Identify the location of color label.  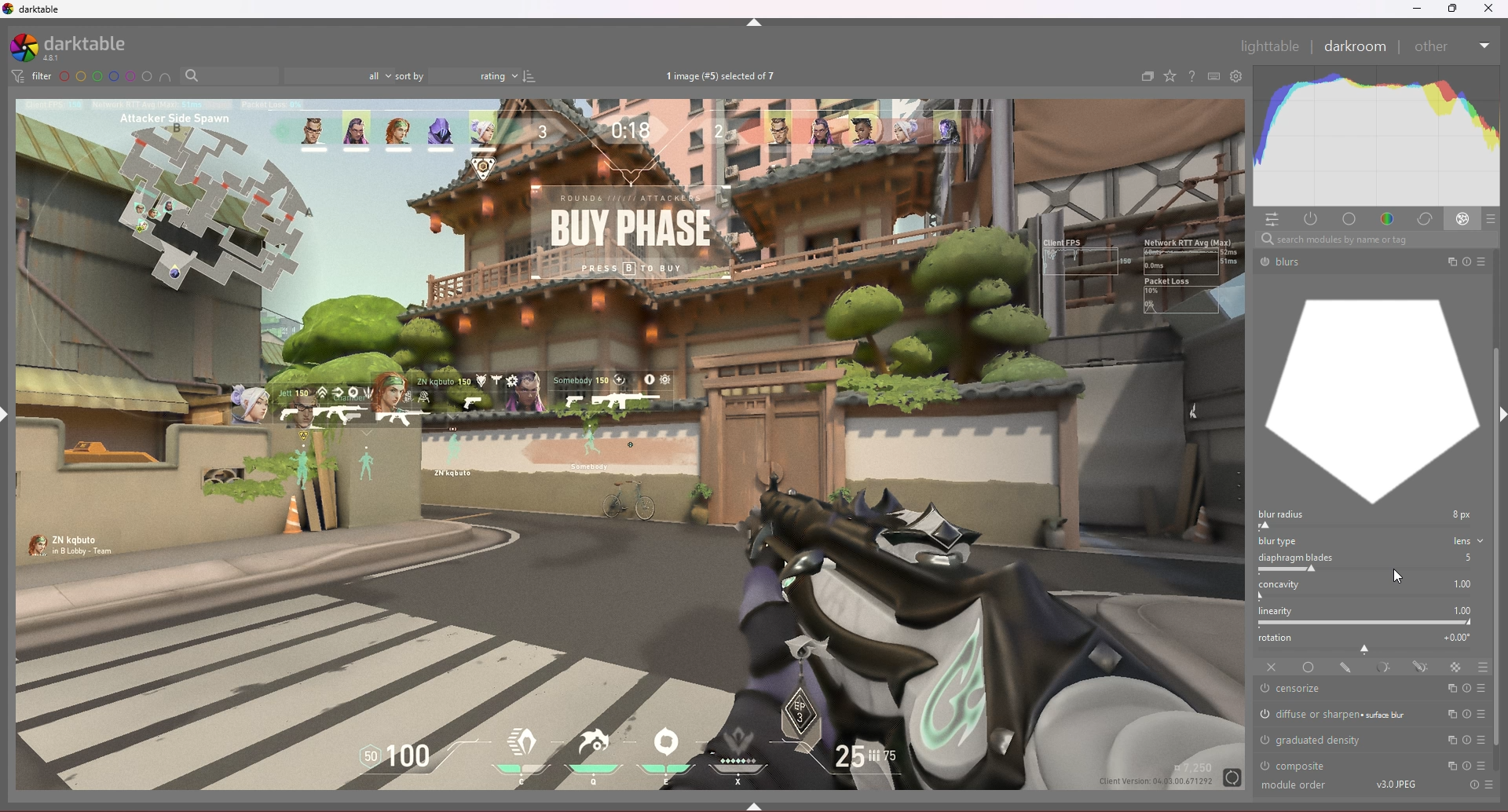
(105, 75).